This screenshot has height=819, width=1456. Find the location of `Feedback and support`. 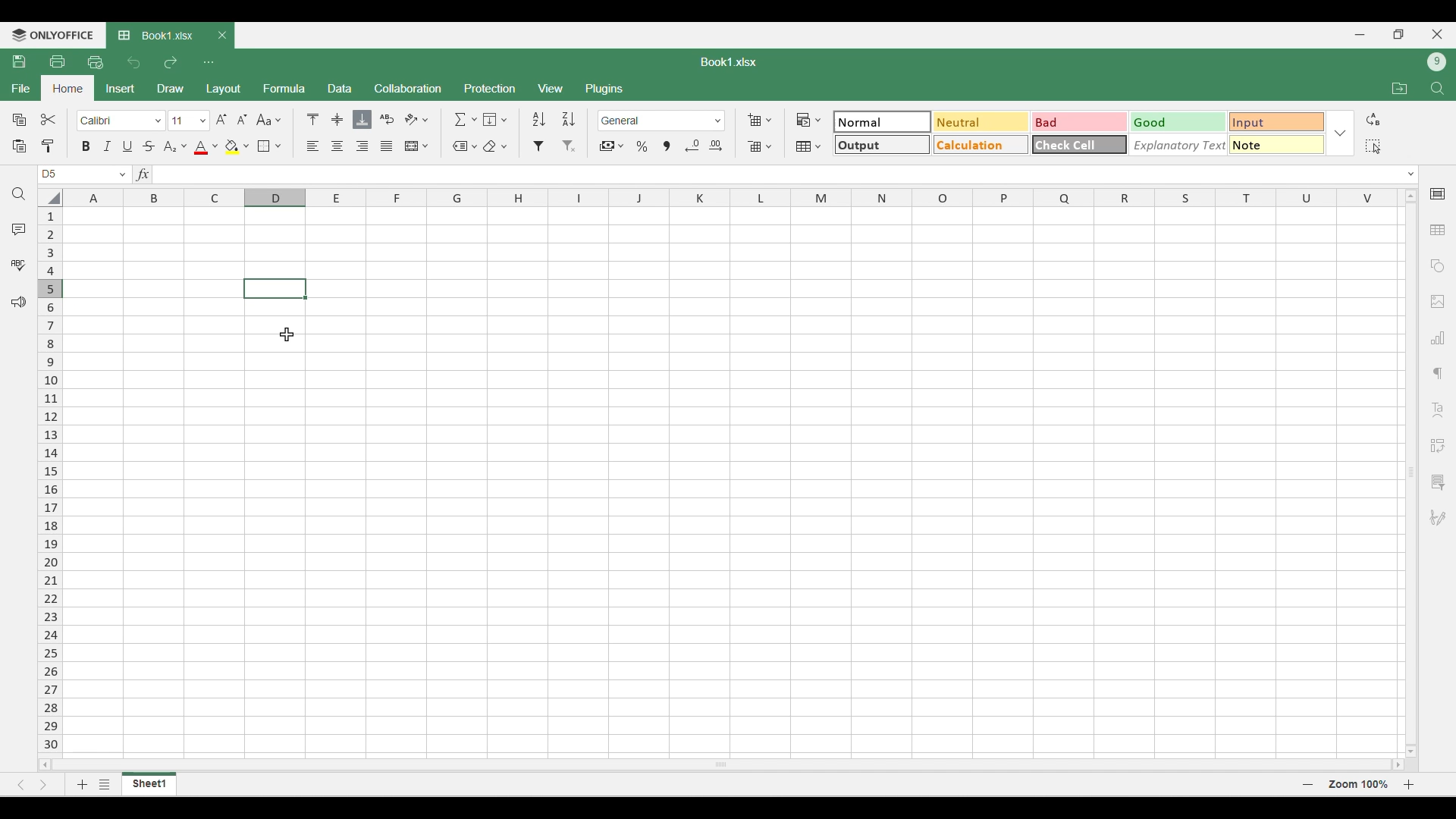

Feedback and support is located at coordinates (19, 303).